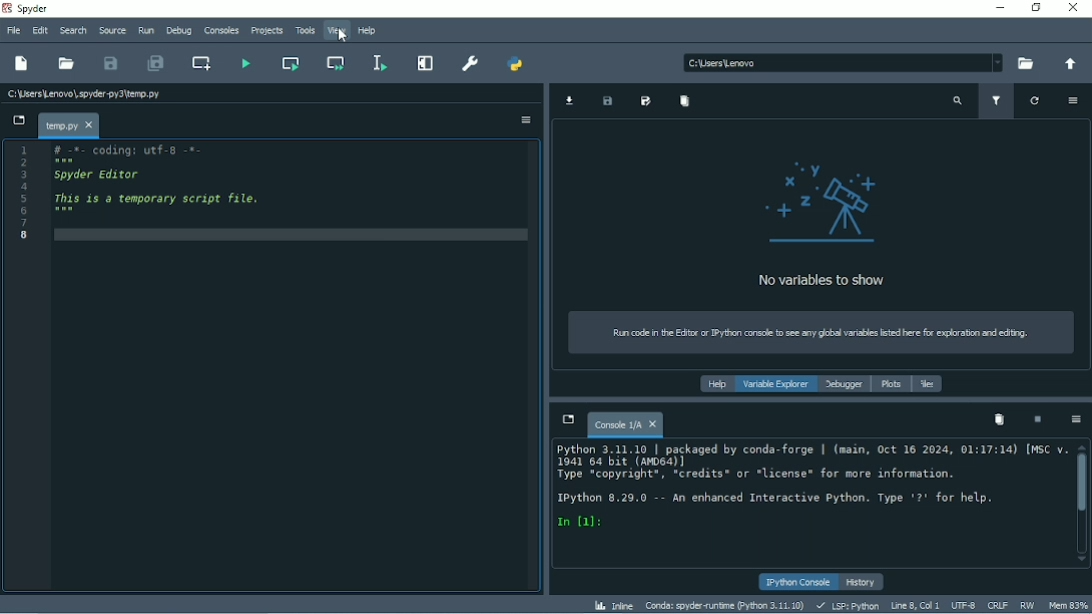 This screenshot has height=614, width=1092. I want to click on Options, so click(1075, 420).